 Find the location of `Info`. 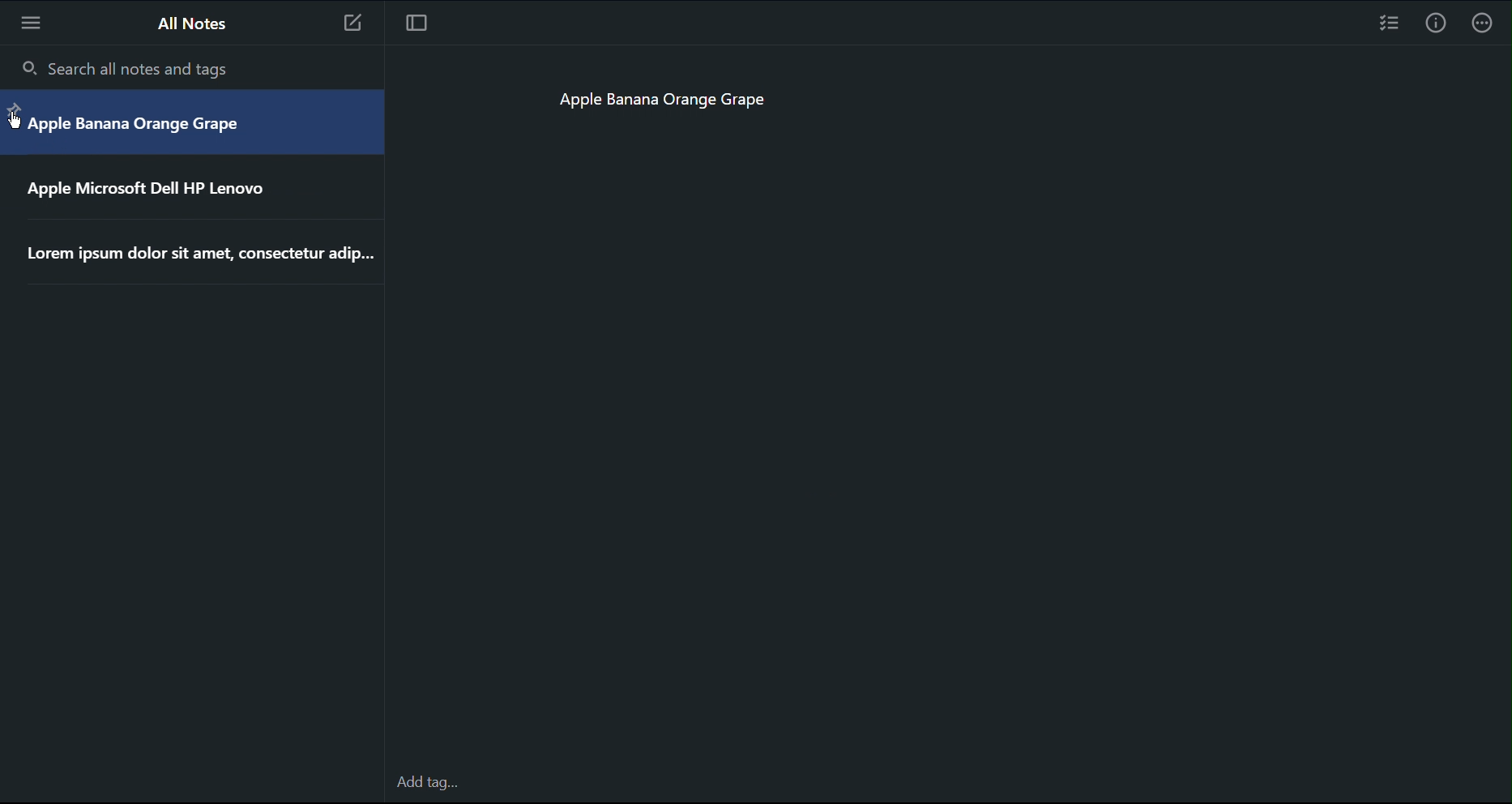

Info is located at coordinates (1437, 21).